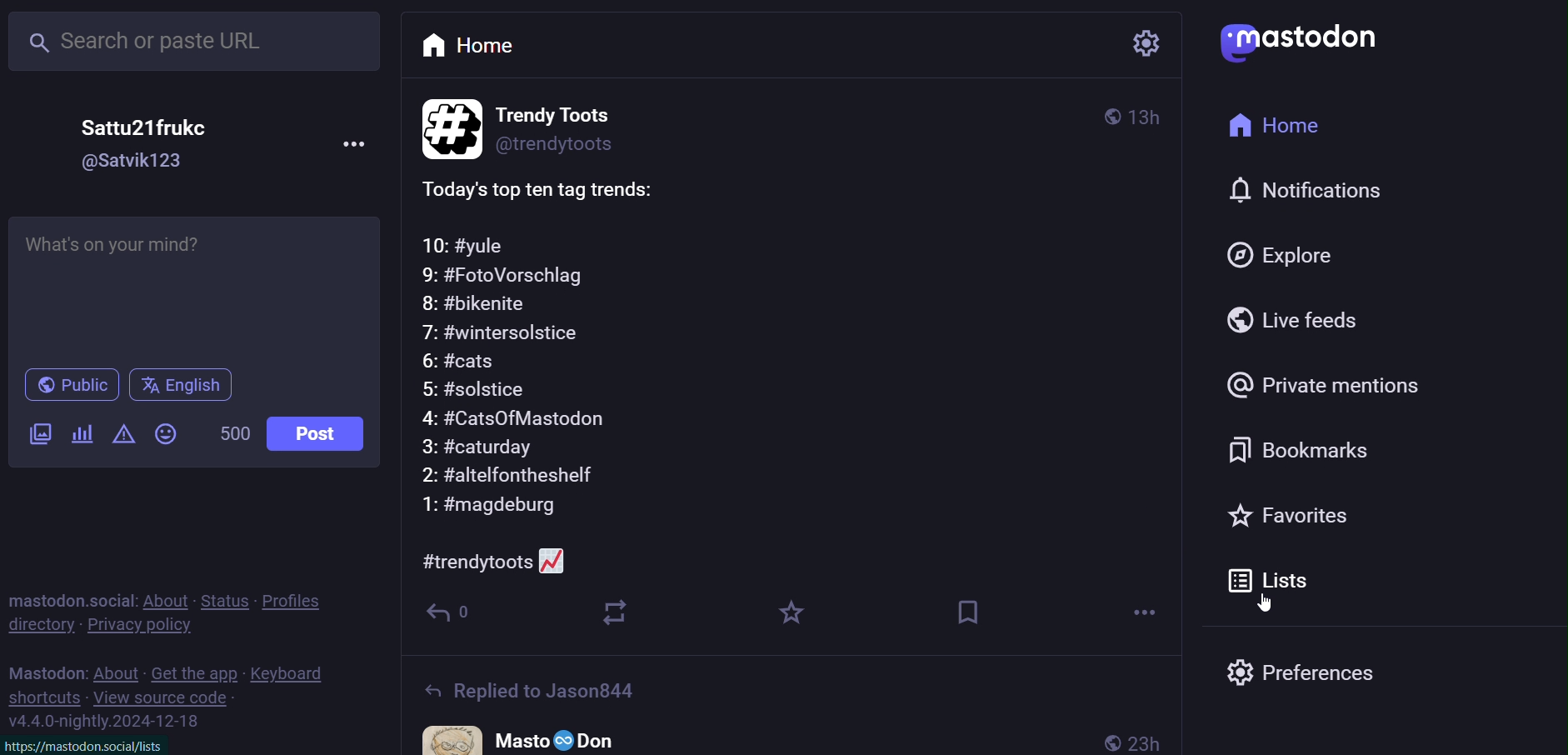  What do you see at coordinates (452, 615) in the screenshot?
I see `reply` at bounding box center [452, 615].